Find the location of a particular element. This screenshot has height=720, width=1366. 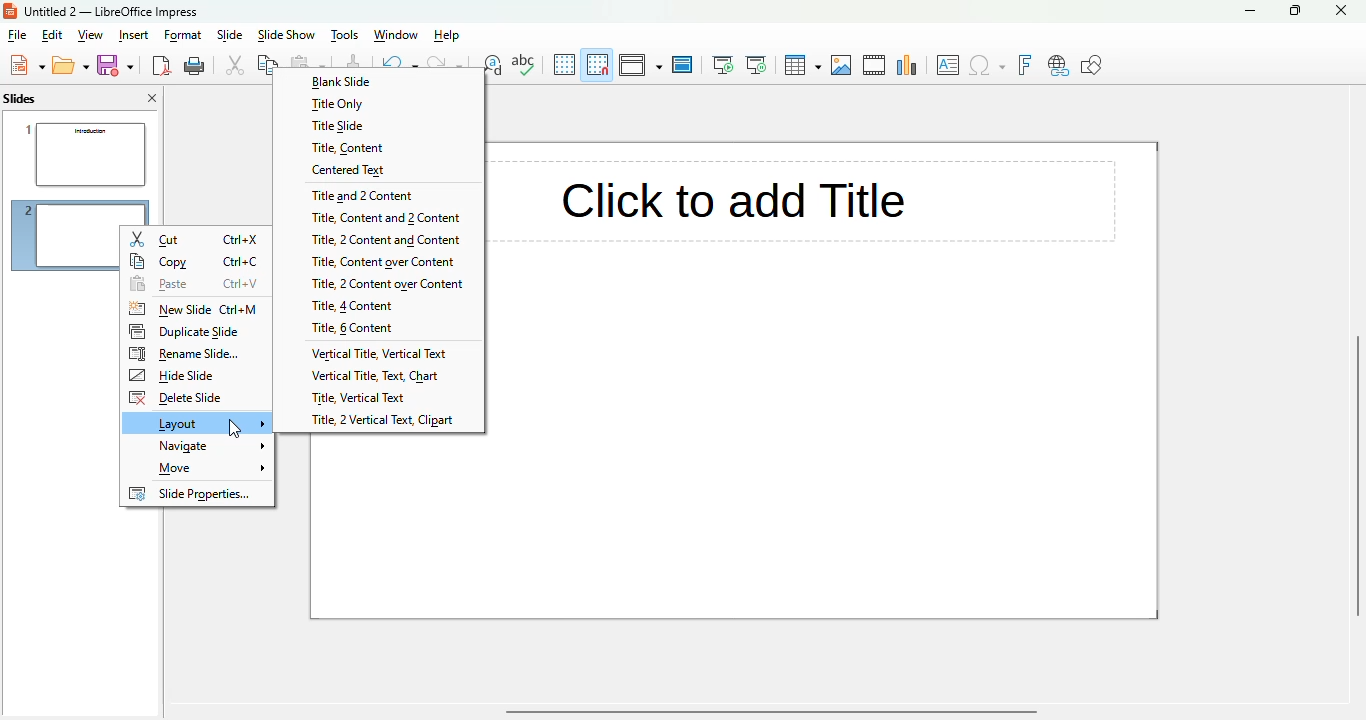

blank slide is located at coordinates (381, 82).